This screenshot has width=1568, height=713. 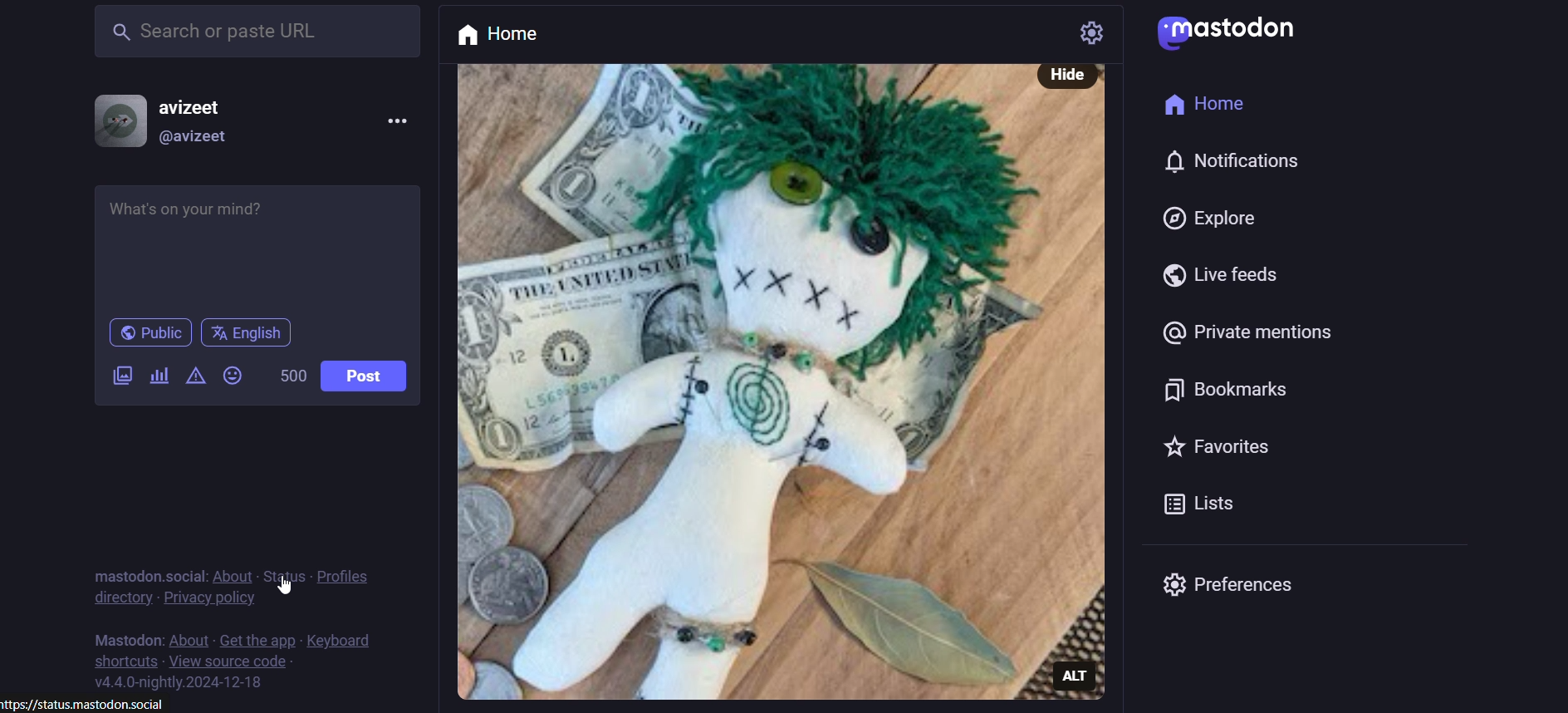 I want to click on text, so click(x=131, y=637).